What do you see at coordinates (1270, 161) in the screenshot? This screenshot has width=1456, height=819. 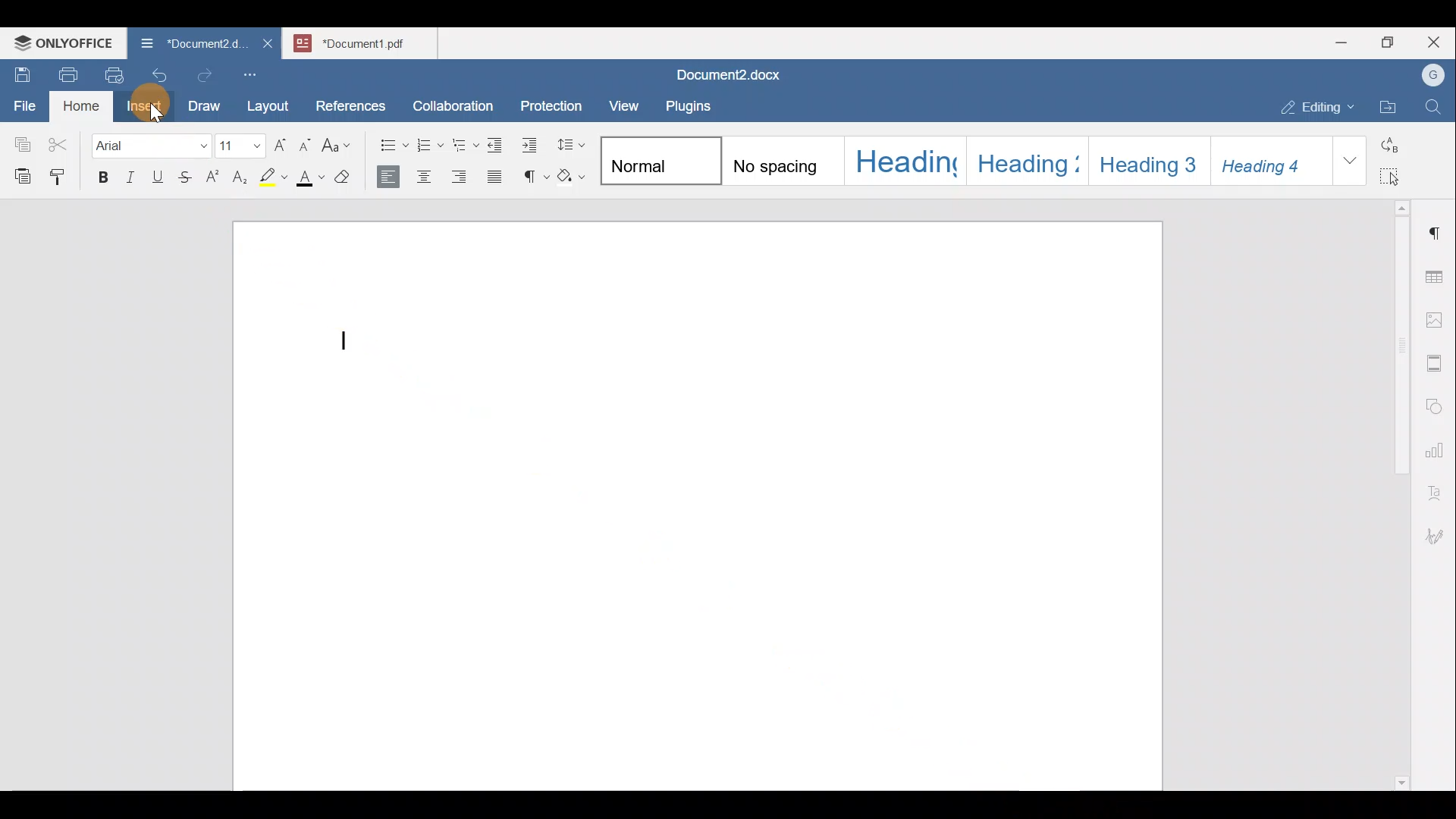 I see `Style 6` at bounding box center [1270, 161].